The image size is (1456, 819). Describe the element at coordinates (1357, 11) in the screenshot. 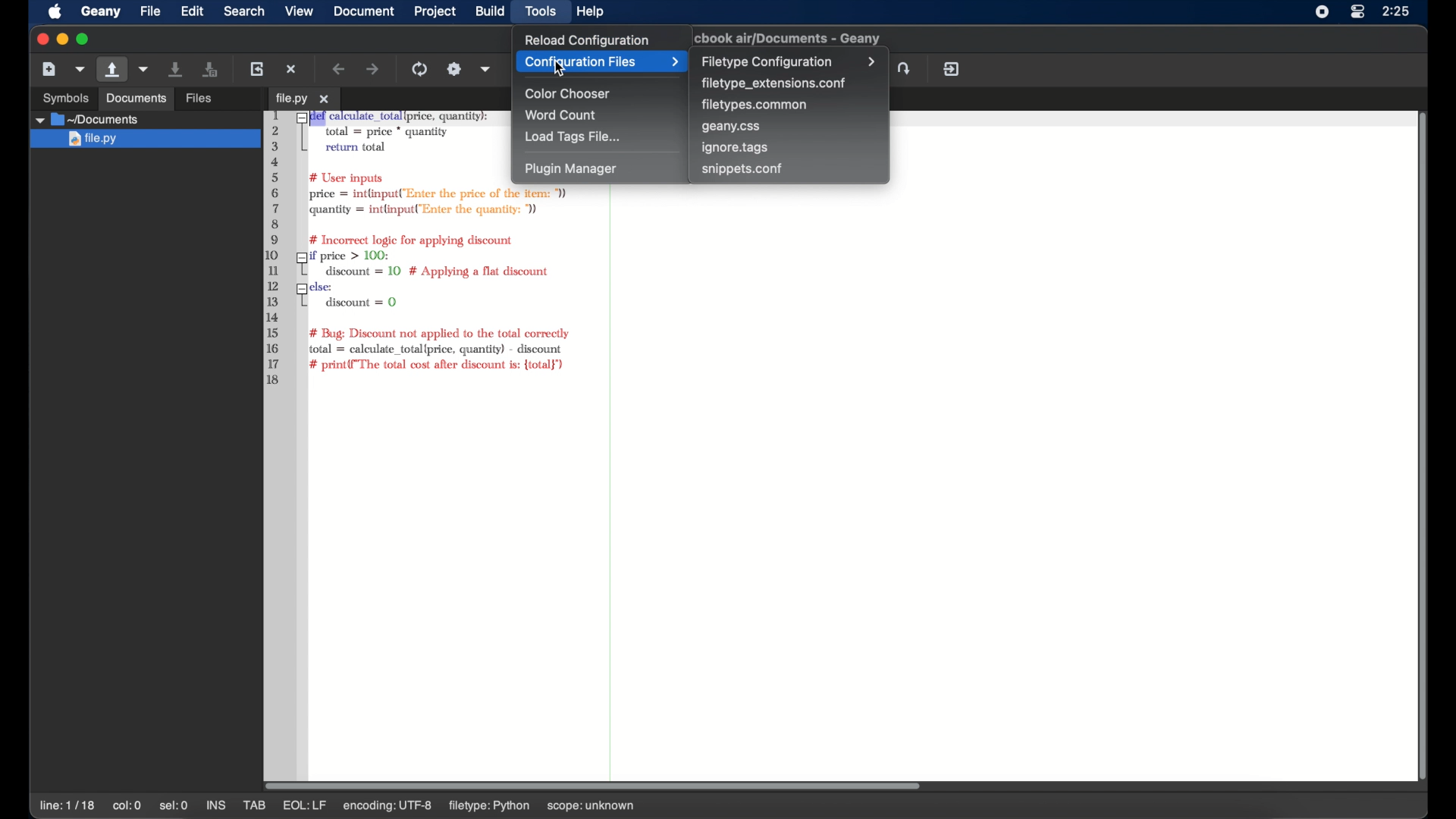

I see `control center` at that location.